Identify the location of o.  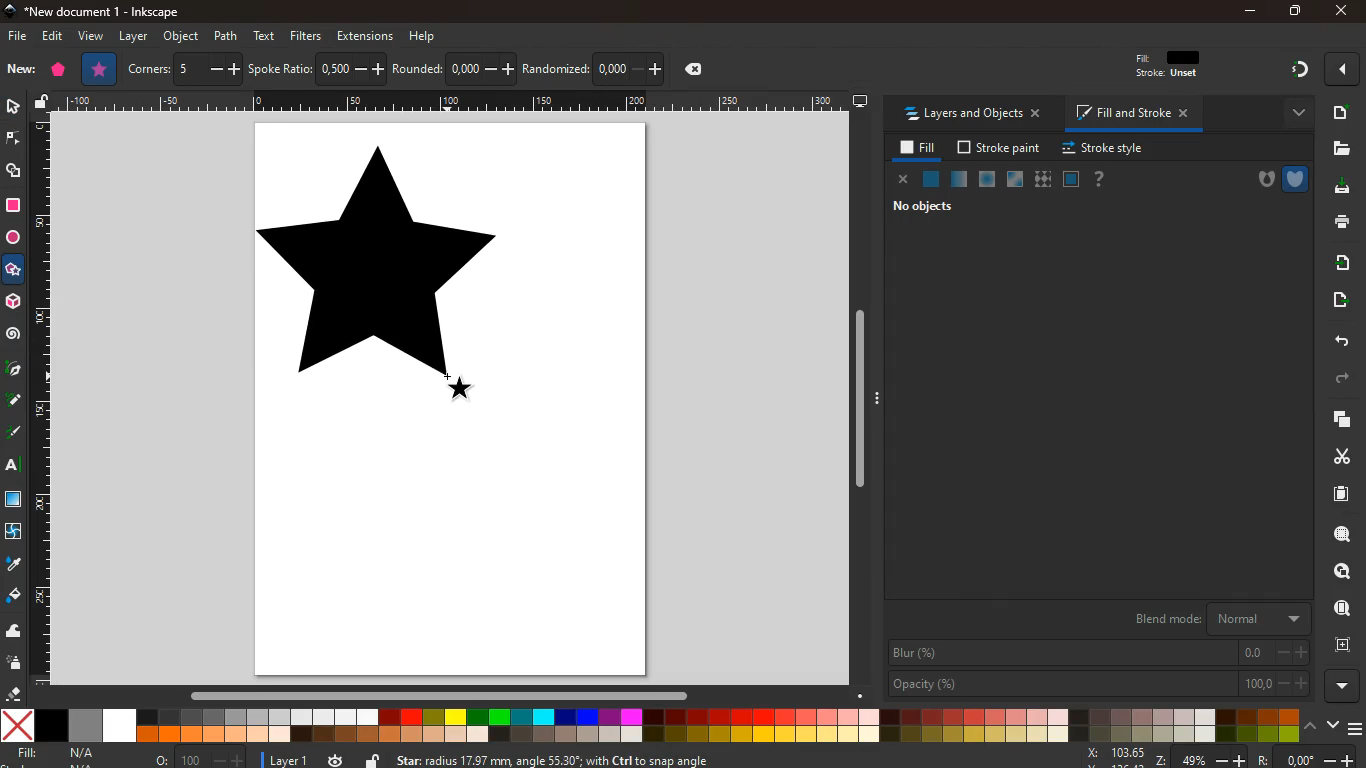
(201, 759).